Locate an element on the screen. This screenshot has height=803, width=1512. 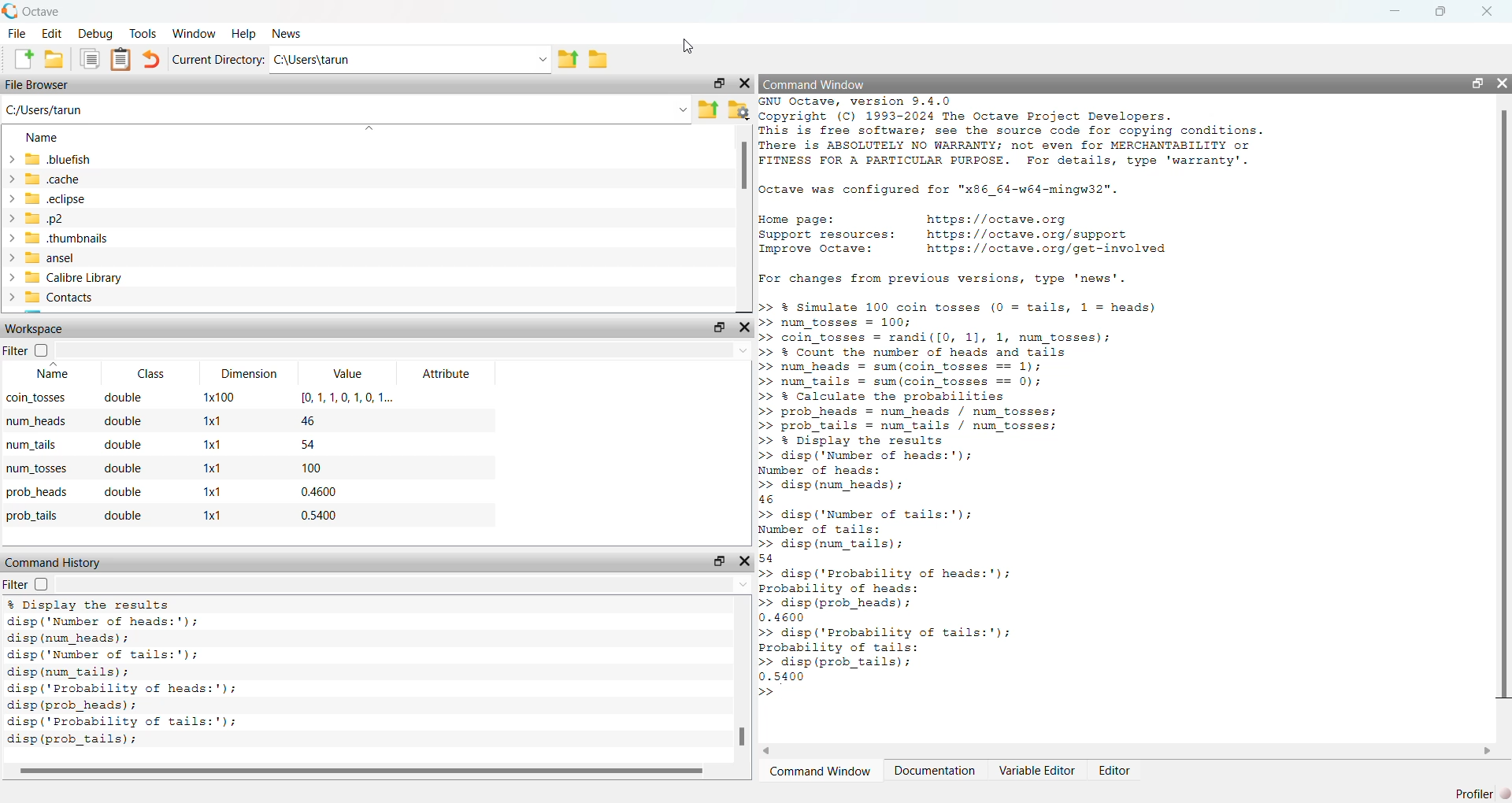
Profiler is located at coordinates (1480, 794).